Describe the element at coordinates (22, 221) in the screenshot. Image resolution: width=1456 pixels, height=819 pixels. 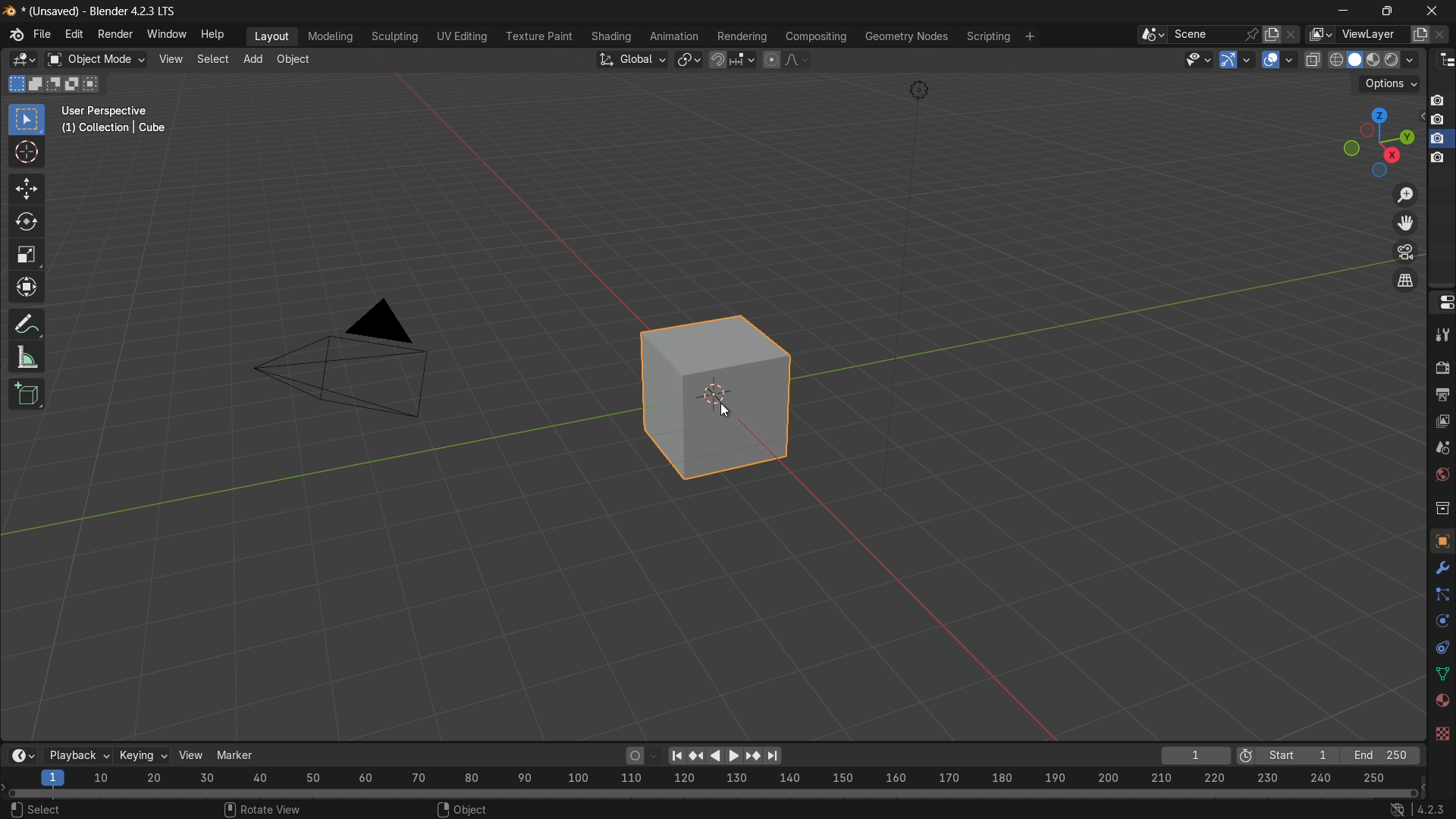
I see `rotate` at that location.